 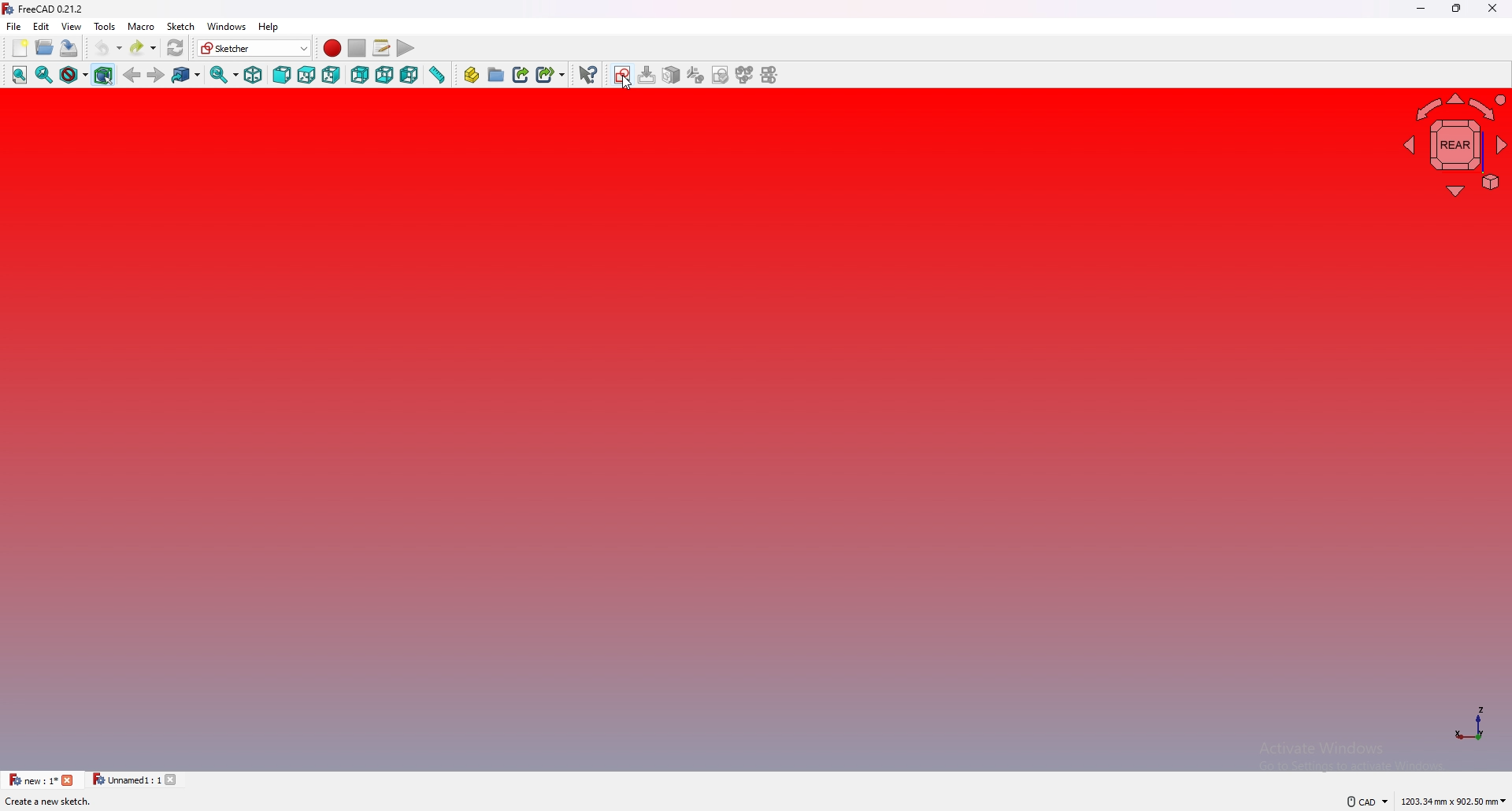 I want to click on close, so click(x=176, y=779).